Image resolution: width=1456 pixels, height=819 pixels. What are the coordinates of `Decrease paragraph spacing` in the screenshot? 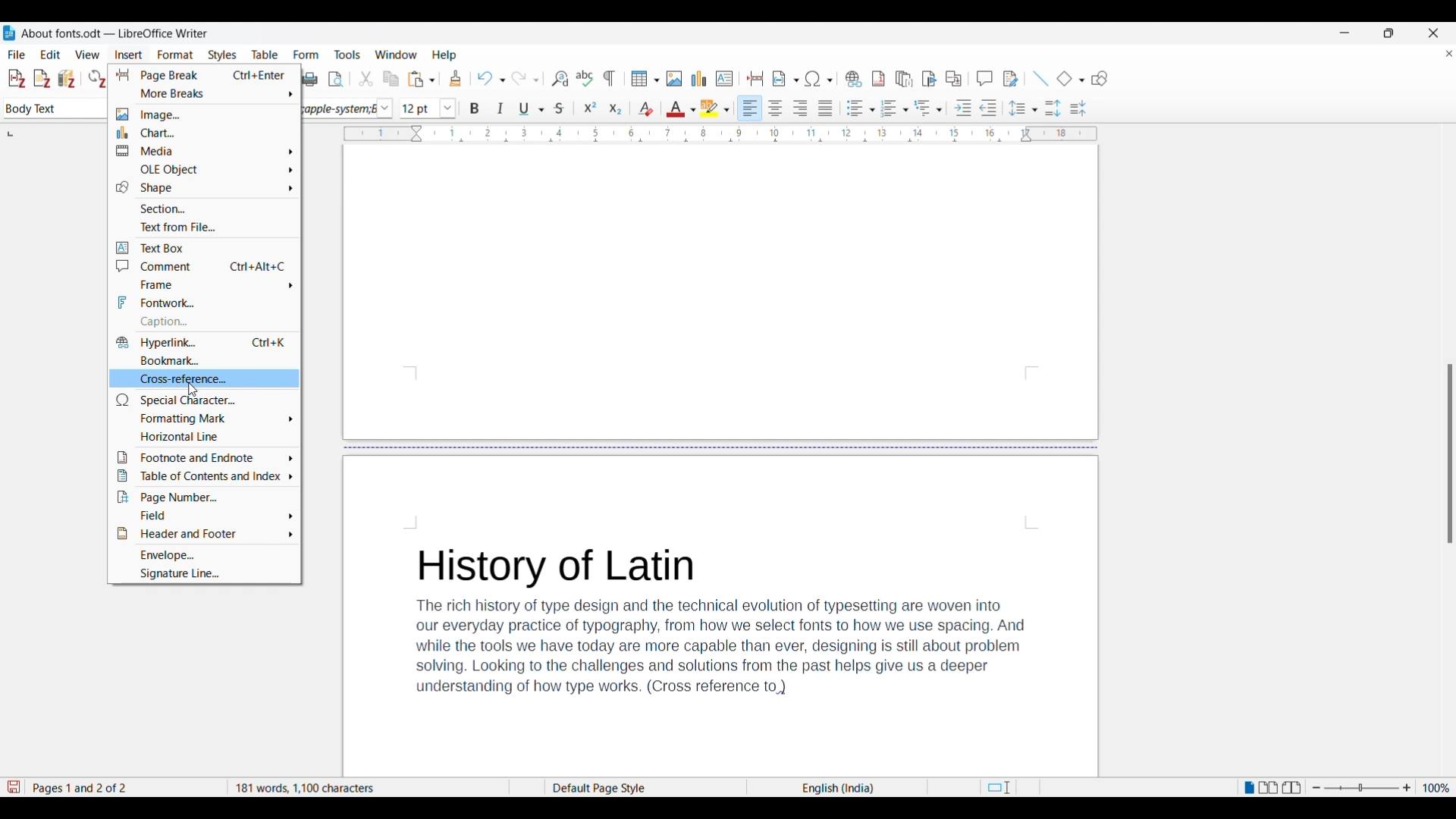 It's located at (1078, 108).